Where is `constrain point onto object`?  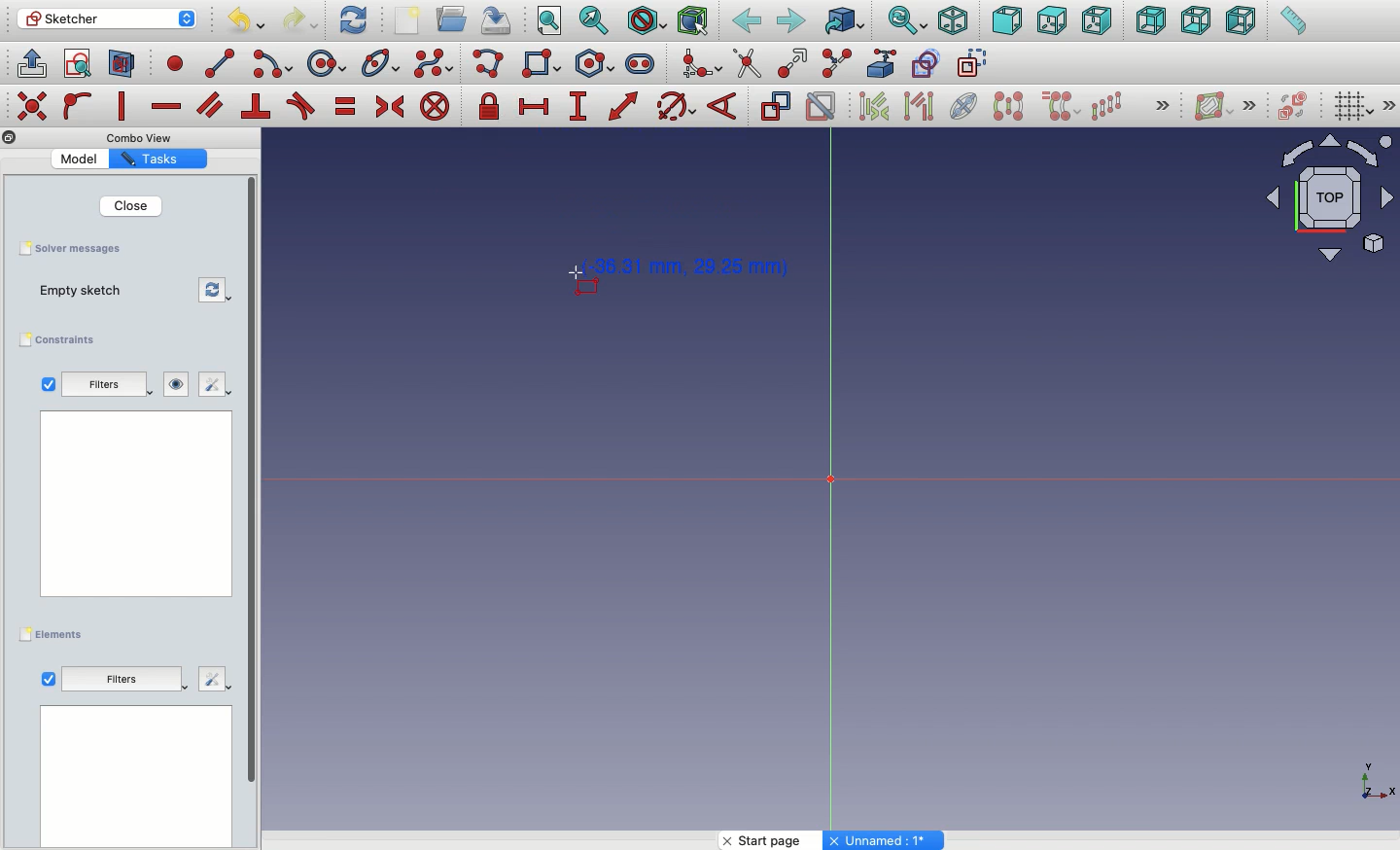 constrain point onto object is located at coordinates (78, 105).